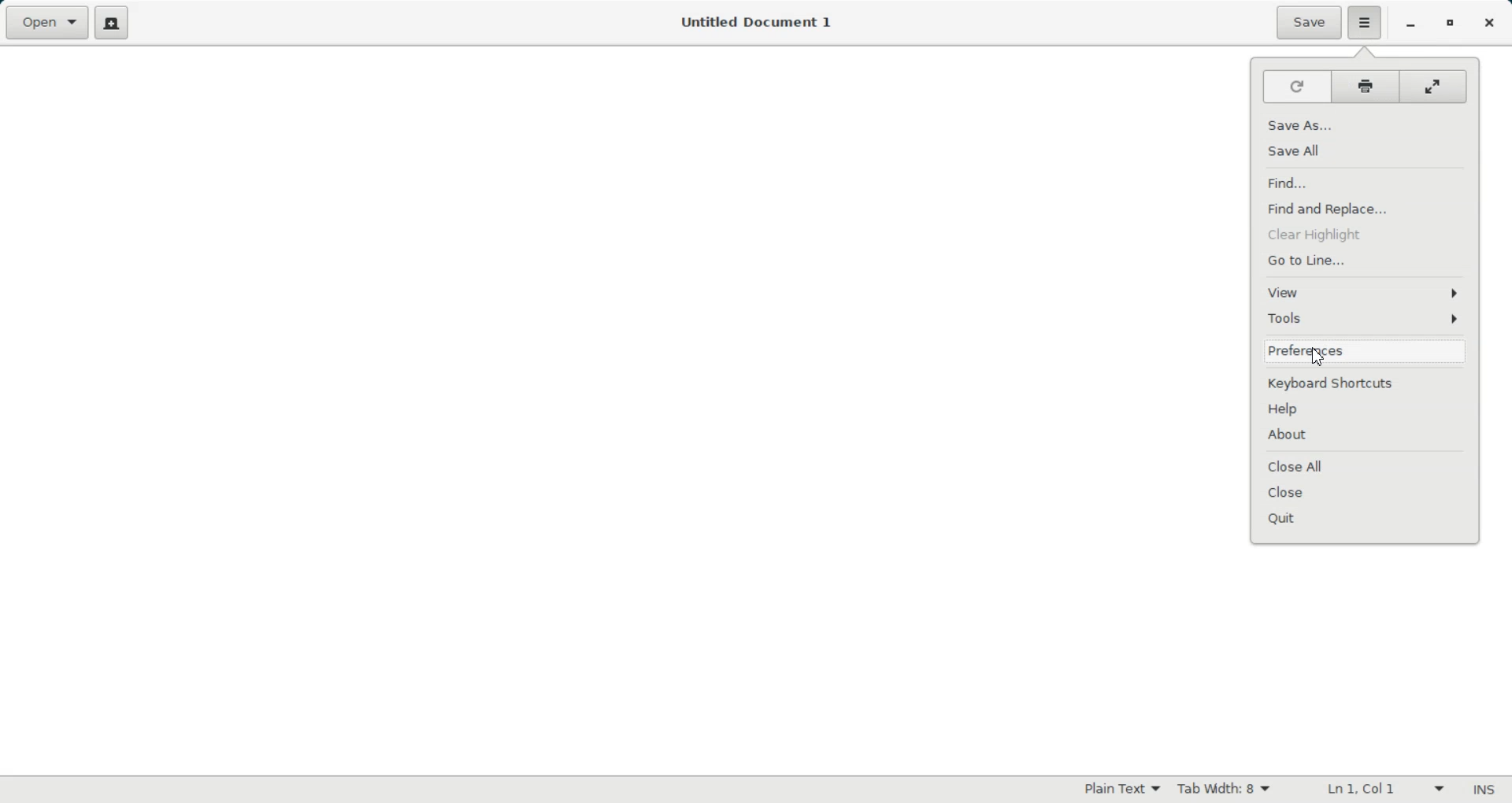  What do you see at coordinates (1366, 207) in the screenshot?
I see `Find and Replace` at bounding box center [1366, 207].